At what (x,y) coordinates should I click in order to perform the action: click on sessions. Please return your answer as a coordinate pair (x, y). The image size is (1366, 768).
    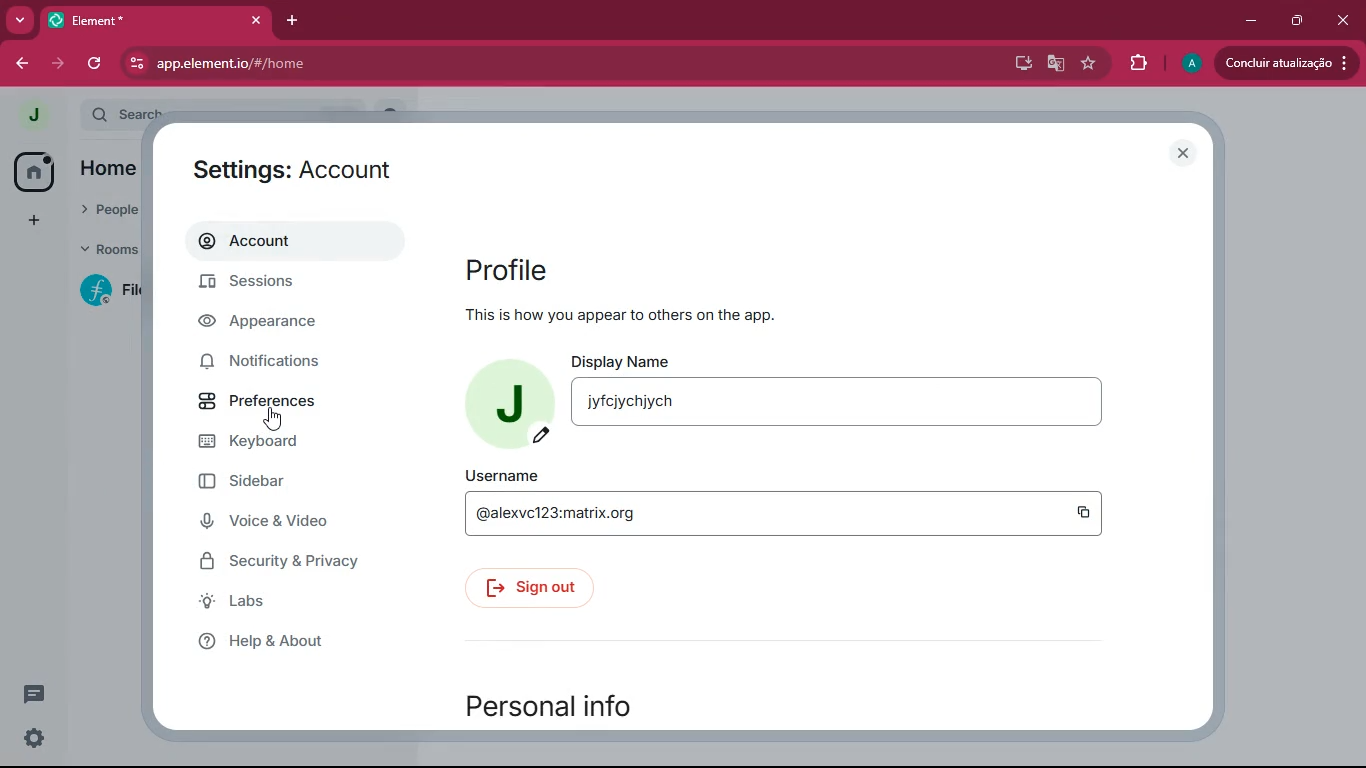
    Looking at the image, I should click on (281, 282).